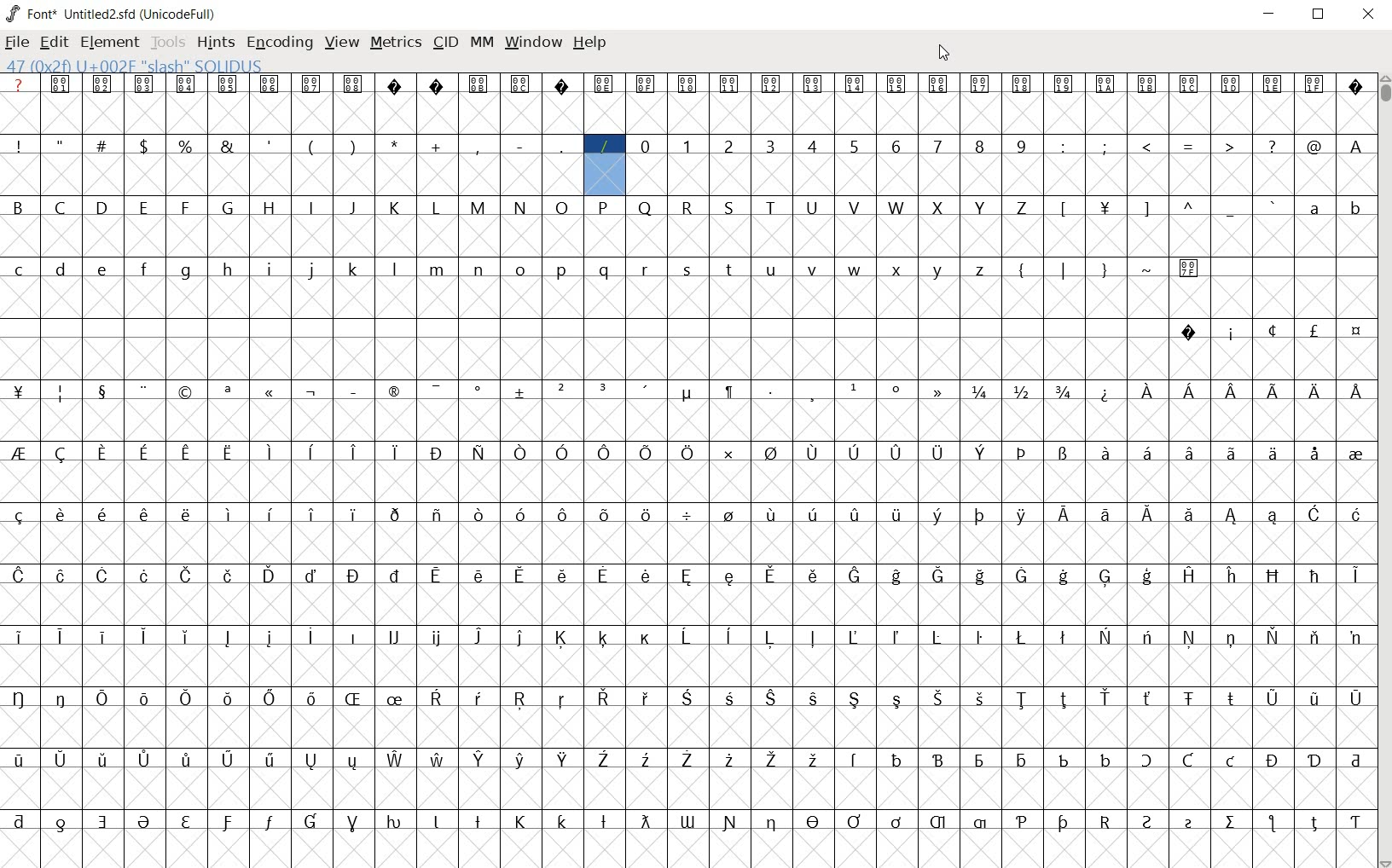 Image resolution: width=1392 pixels, height=868 pixels. I want to click on glyph, so click(17, 206).